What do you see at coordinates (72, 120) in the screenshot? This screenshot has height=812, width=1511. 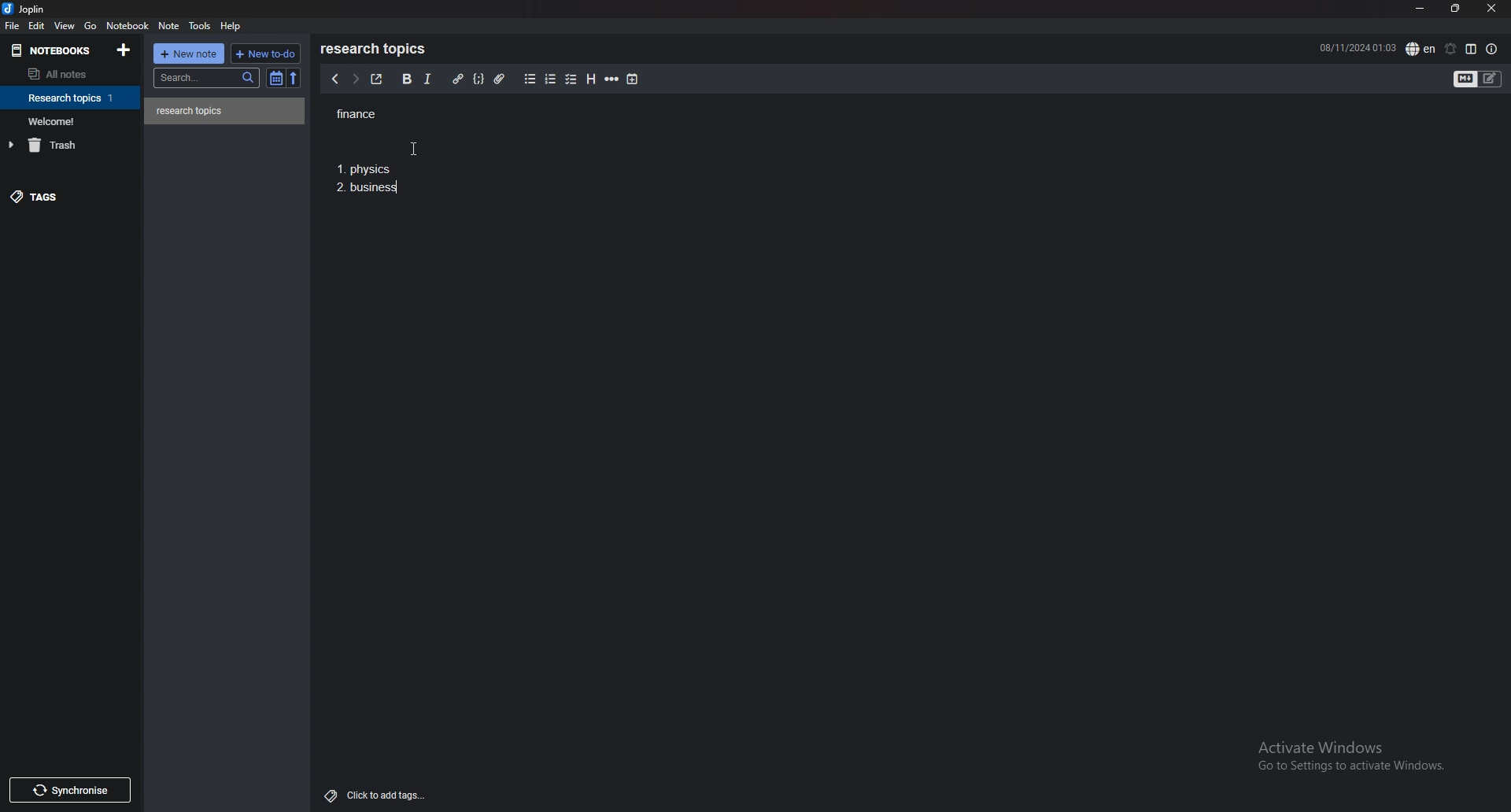 I see `notebook` at bounding box center [72, 120].